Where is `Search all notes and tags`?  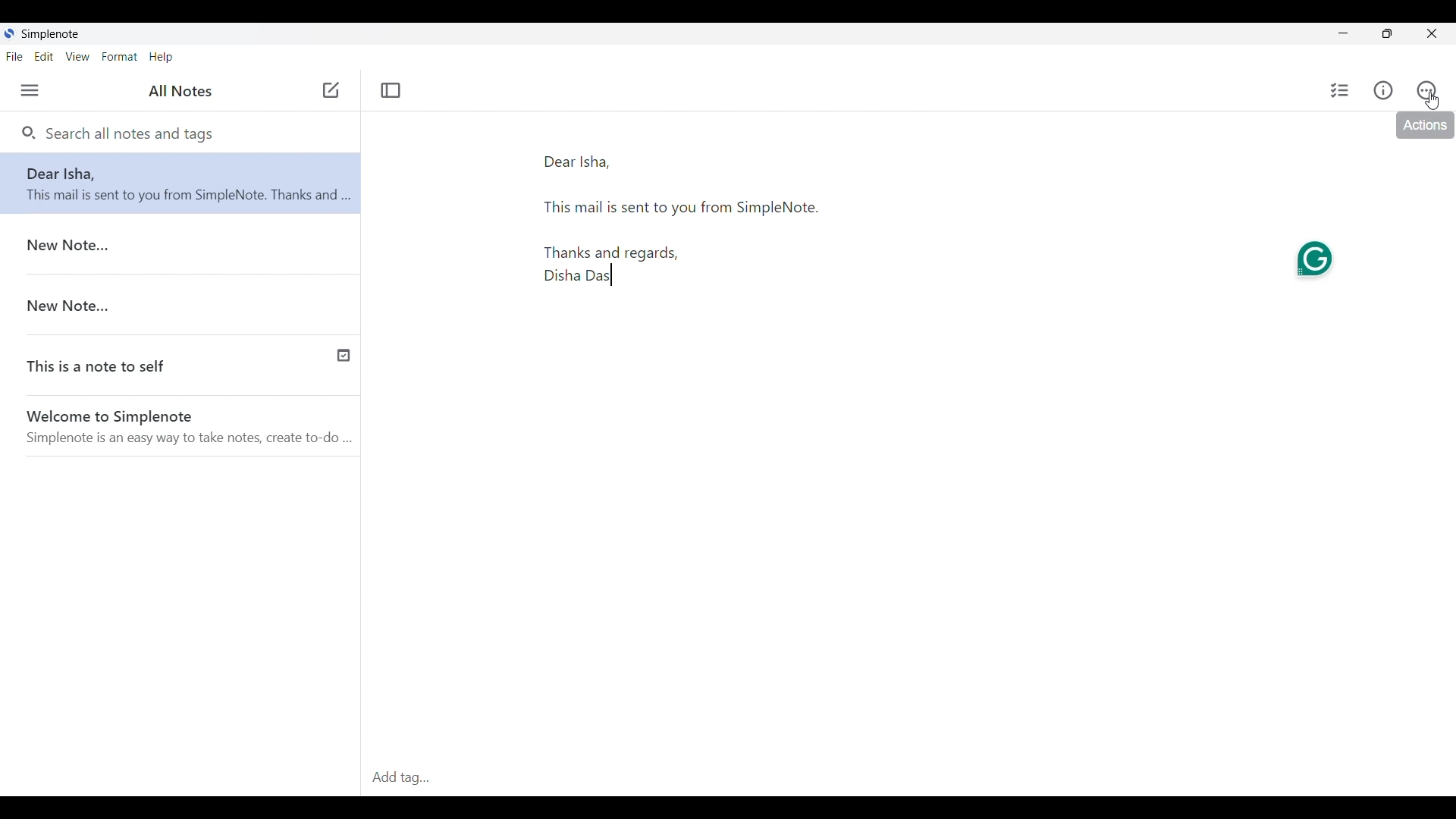 Search all notes and tags is located at coordinates (128, 133).